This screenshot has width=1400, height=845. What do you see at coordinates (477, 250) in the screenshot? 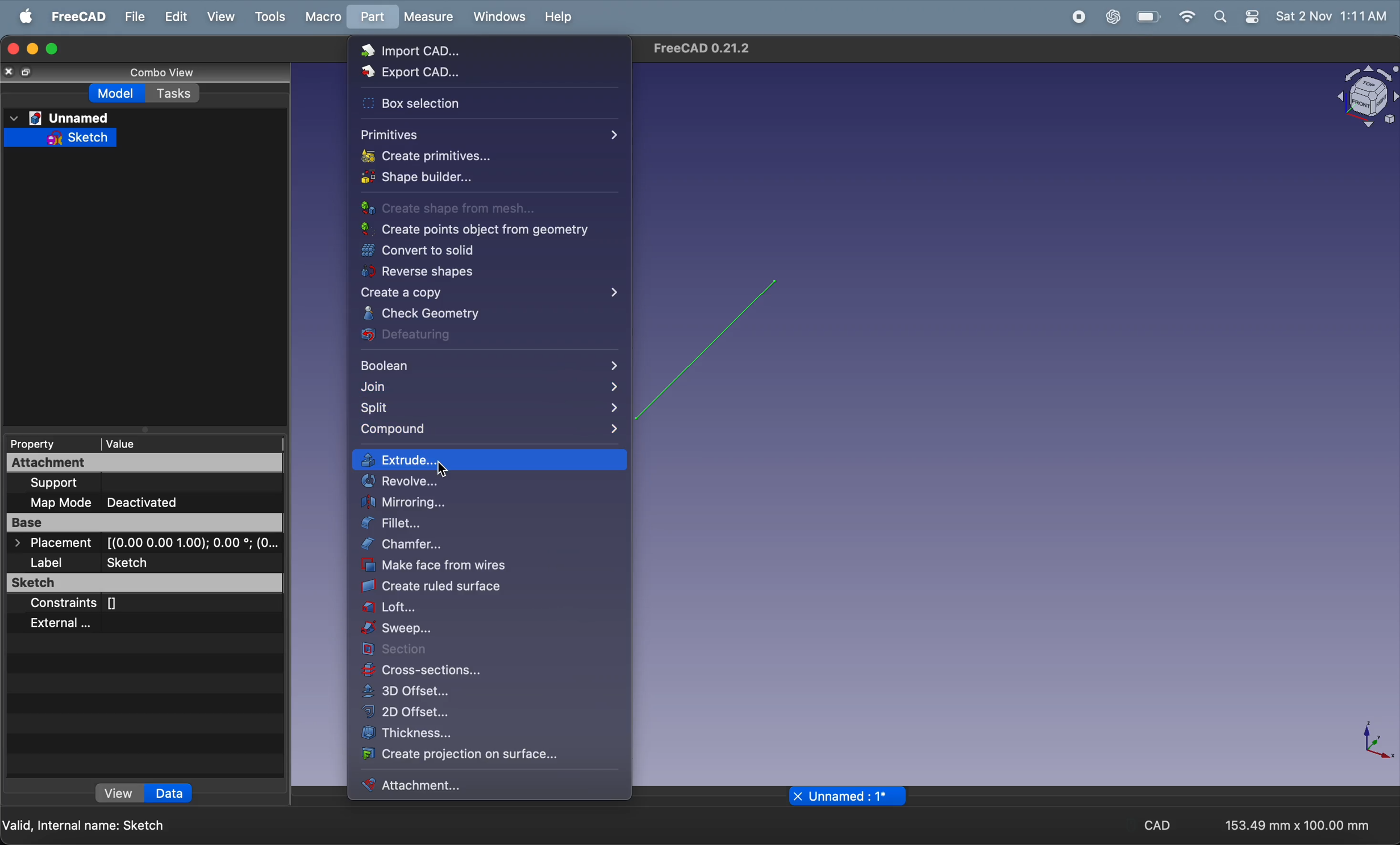
I see `convert to solid` at bounding box center [477, 250].